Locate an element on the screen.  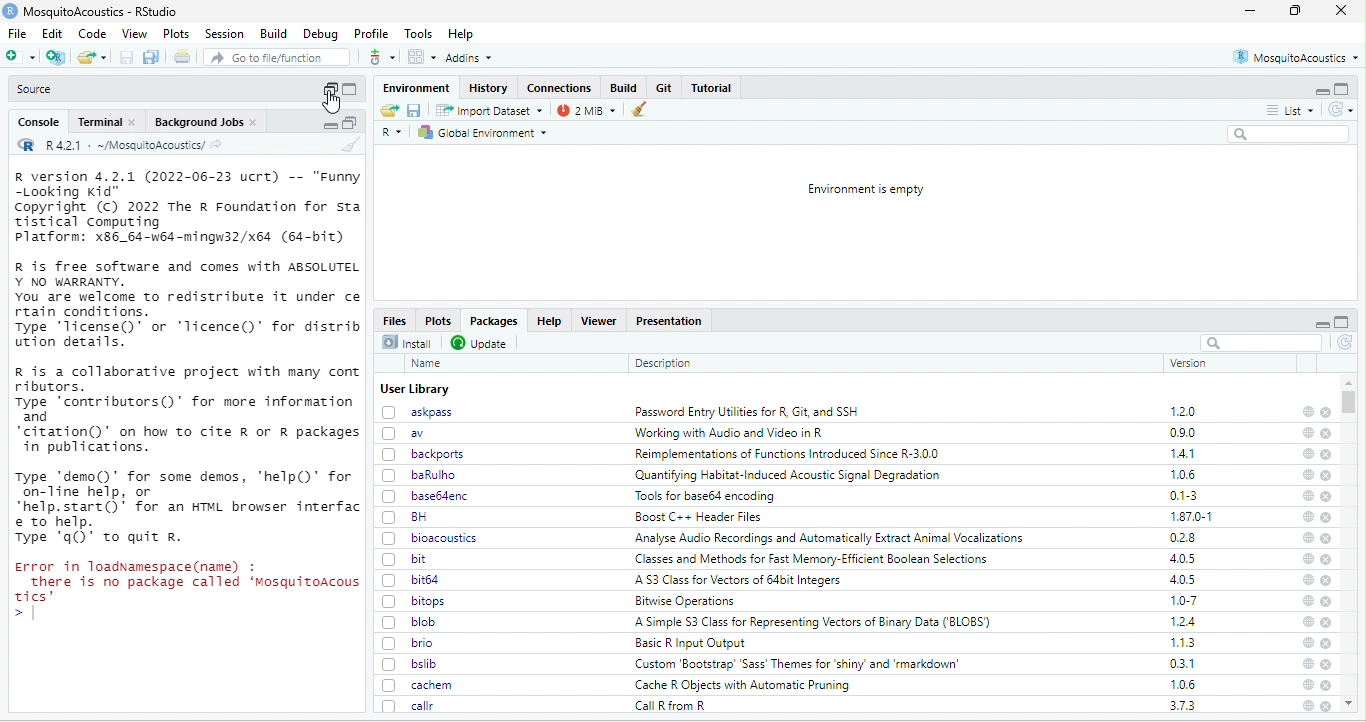
A Simple S3 Class for Representing Vectors of Binary Data (‘BLOBS’) is located at coordinates (809, 622).